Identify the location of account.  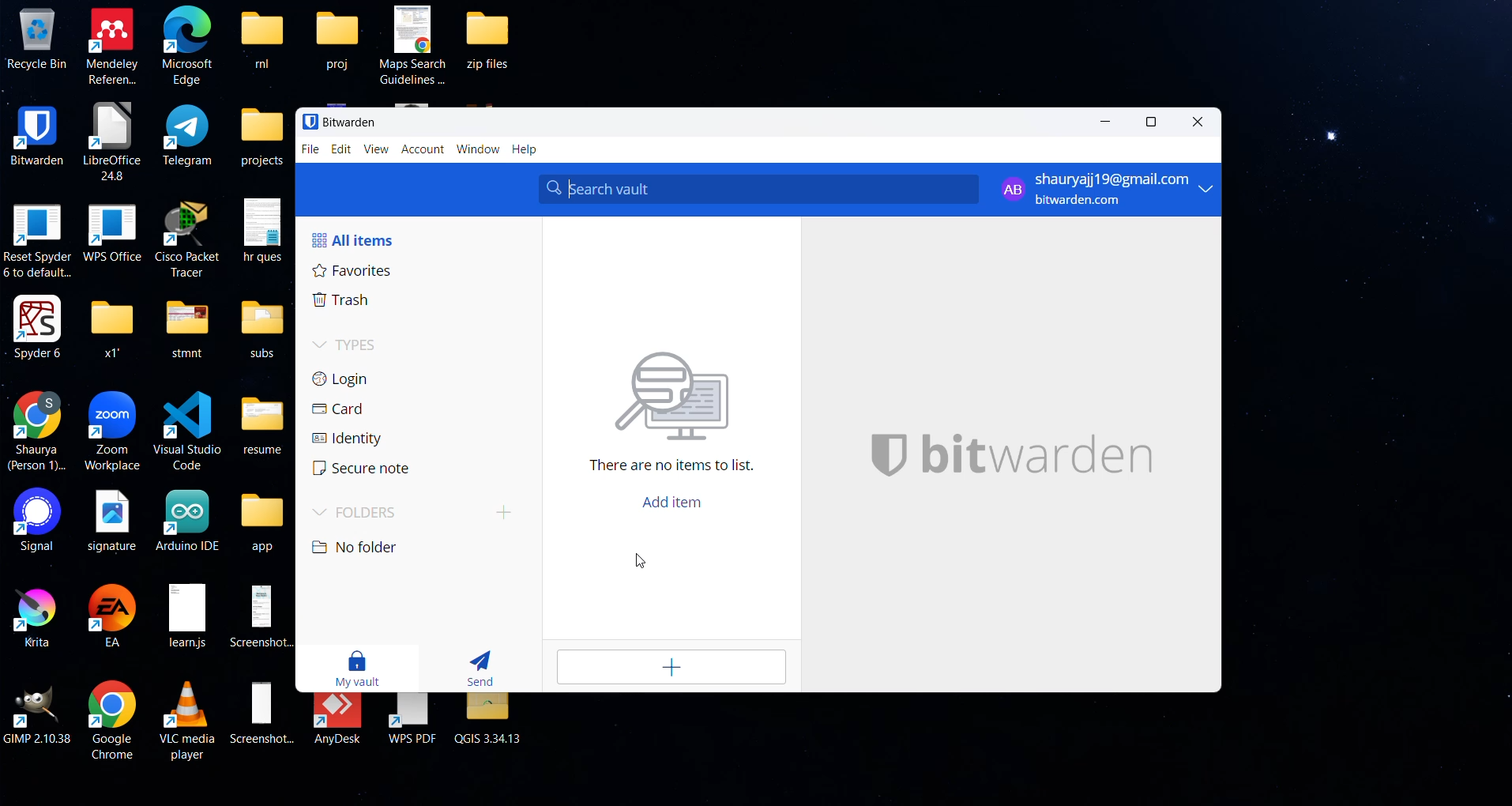
(425, 150).